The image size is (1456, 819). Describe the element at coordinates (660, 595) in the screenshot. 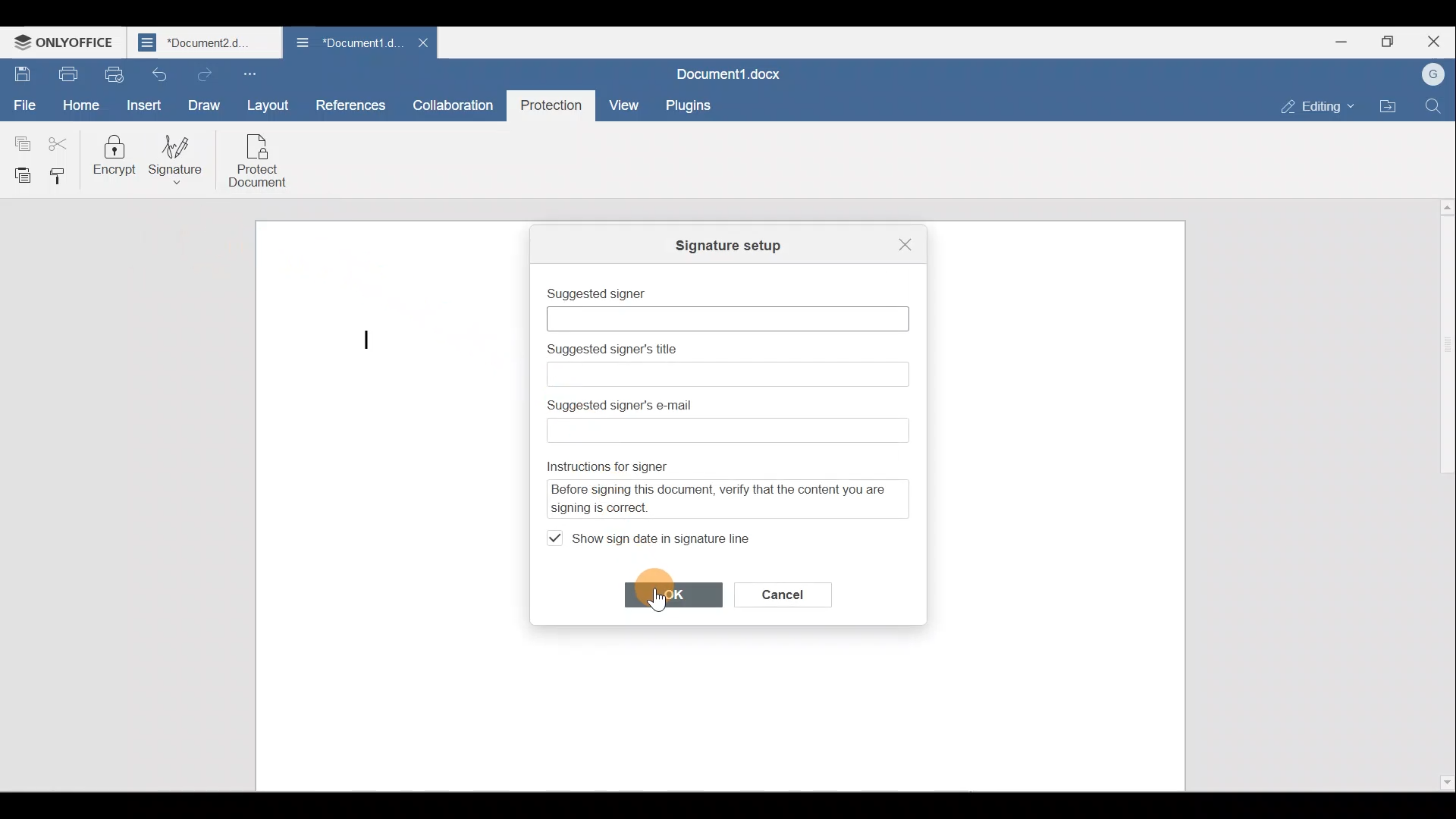

I see `Cursor on OK` at that location.